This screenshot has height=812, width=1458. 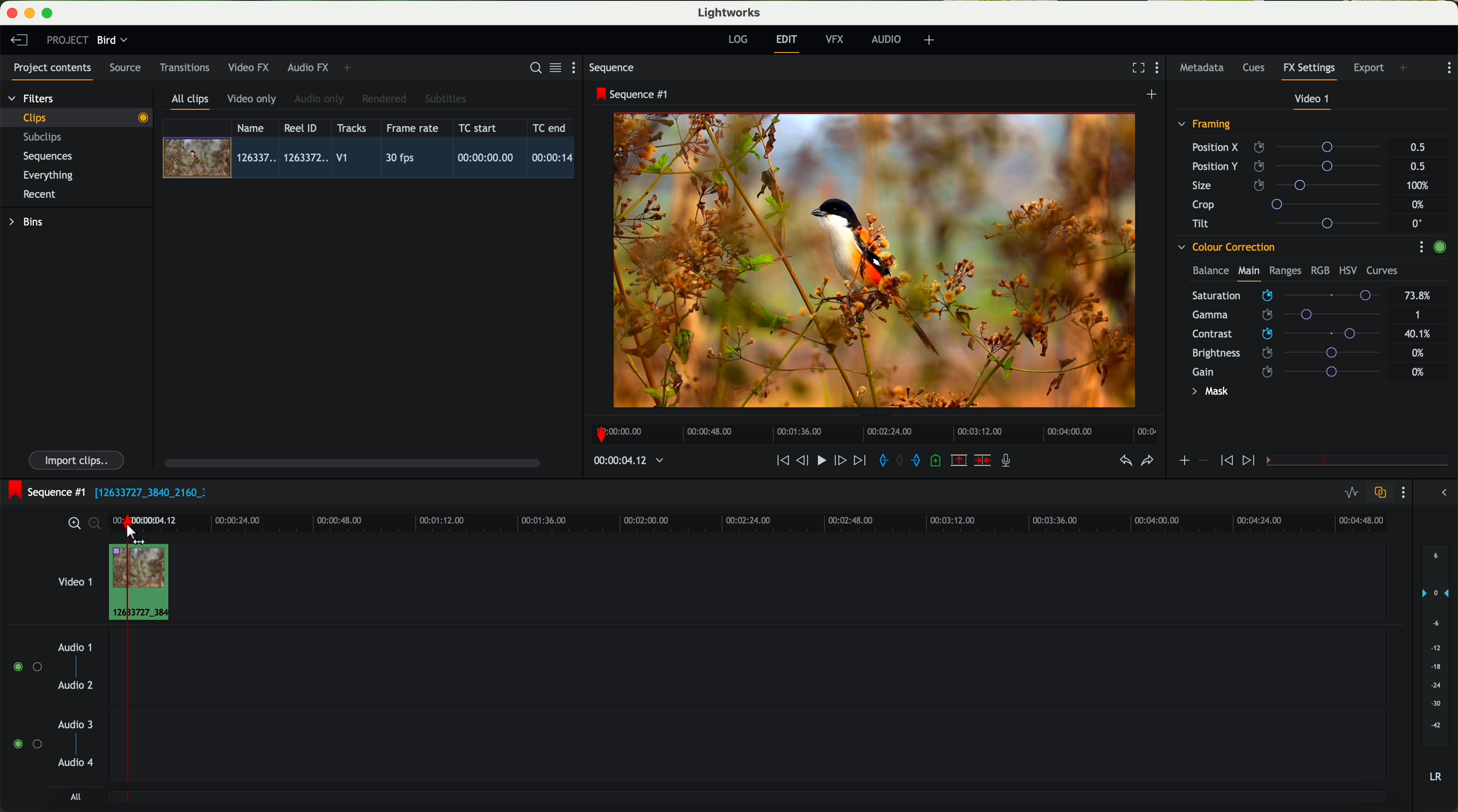 What do you see at coordinates (1378, 493) in the screenshot?
I see `toggle auto track sync` at bounding box center [1378, 493].